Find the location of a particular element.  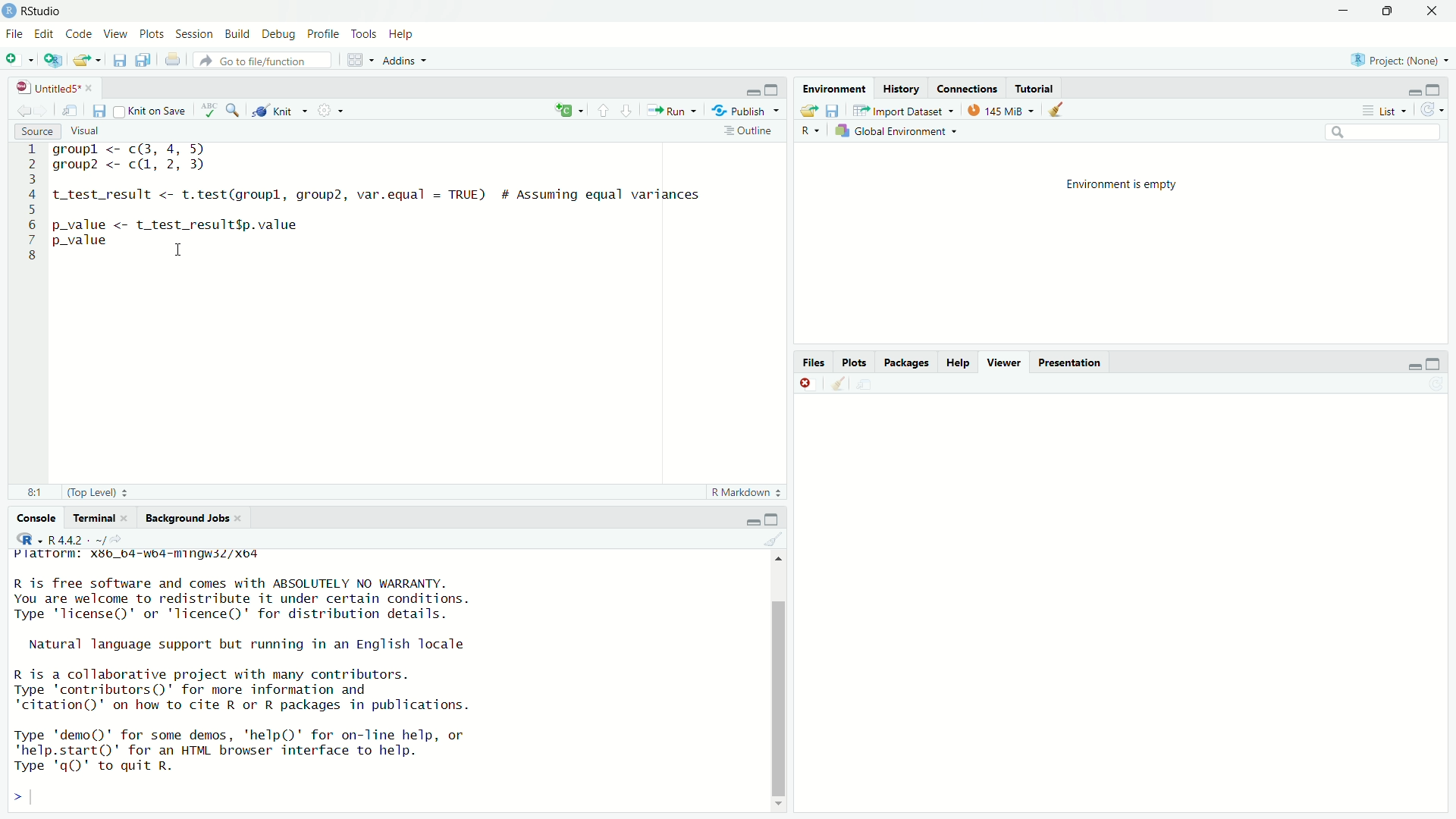

maximise is located at coordinates (775, 519).